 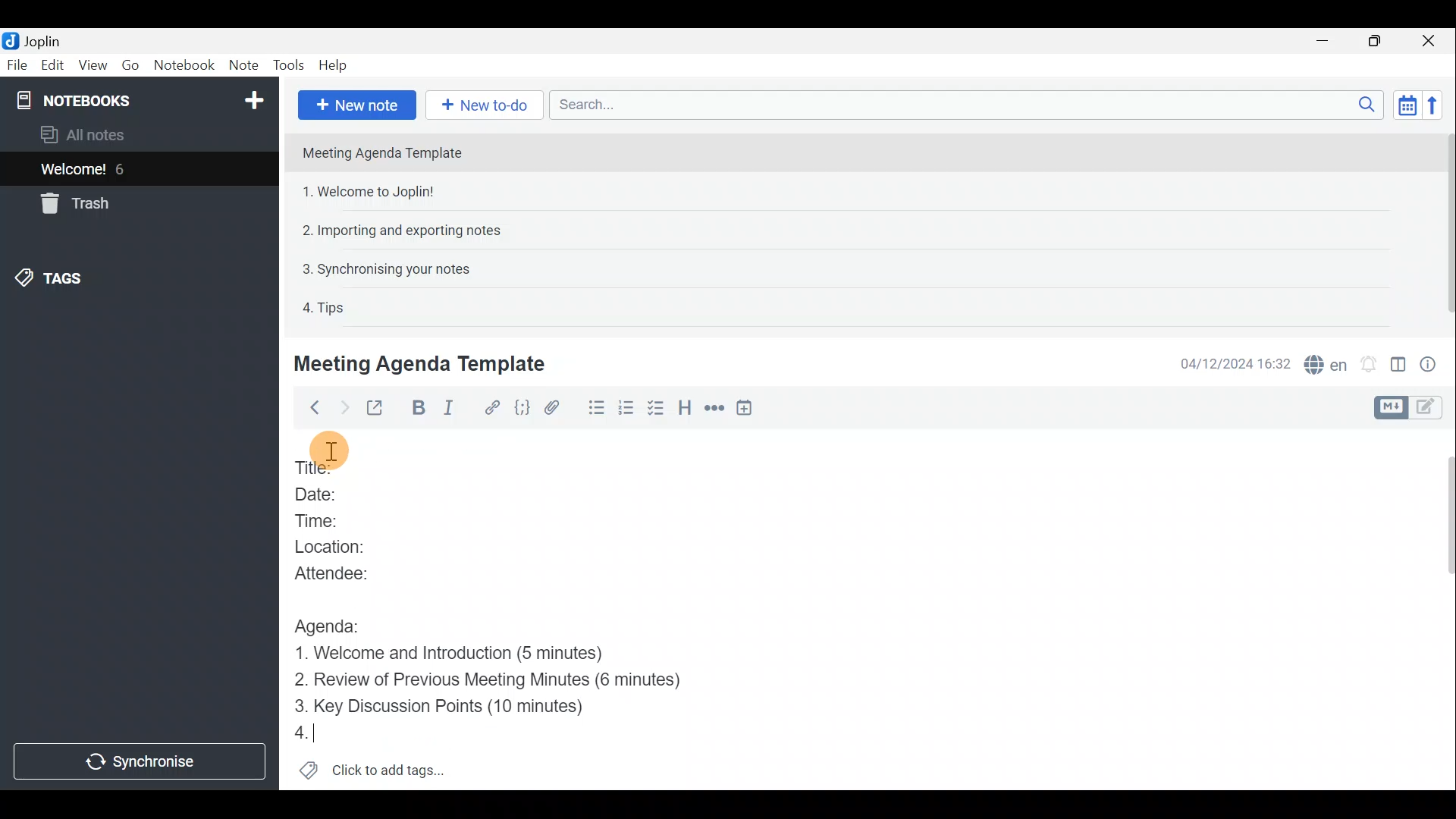 I want to click on View, so click(x=90, y=67).